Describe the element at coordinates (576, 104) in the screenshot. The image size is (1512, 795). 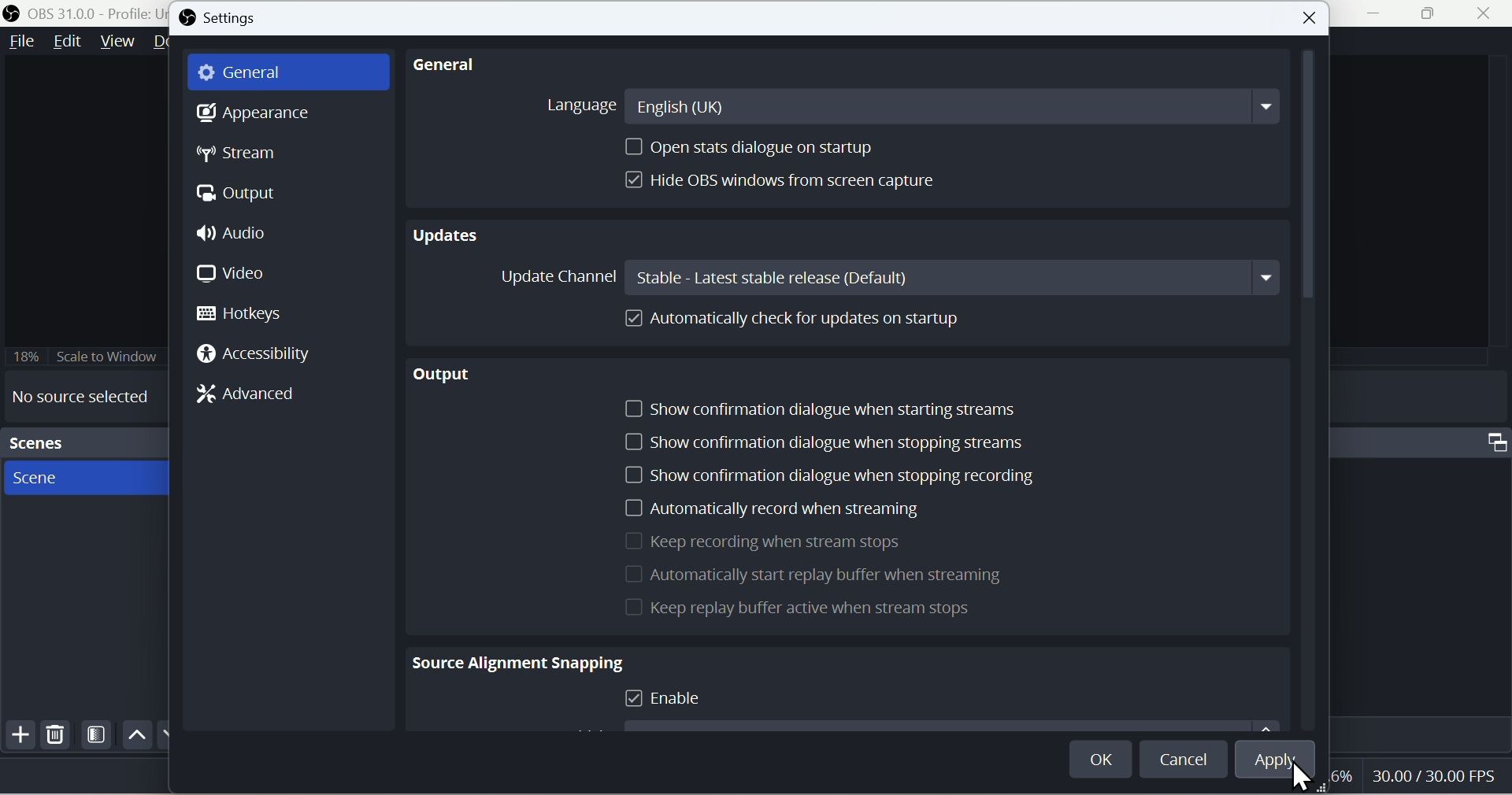
I see `Language` at that location.